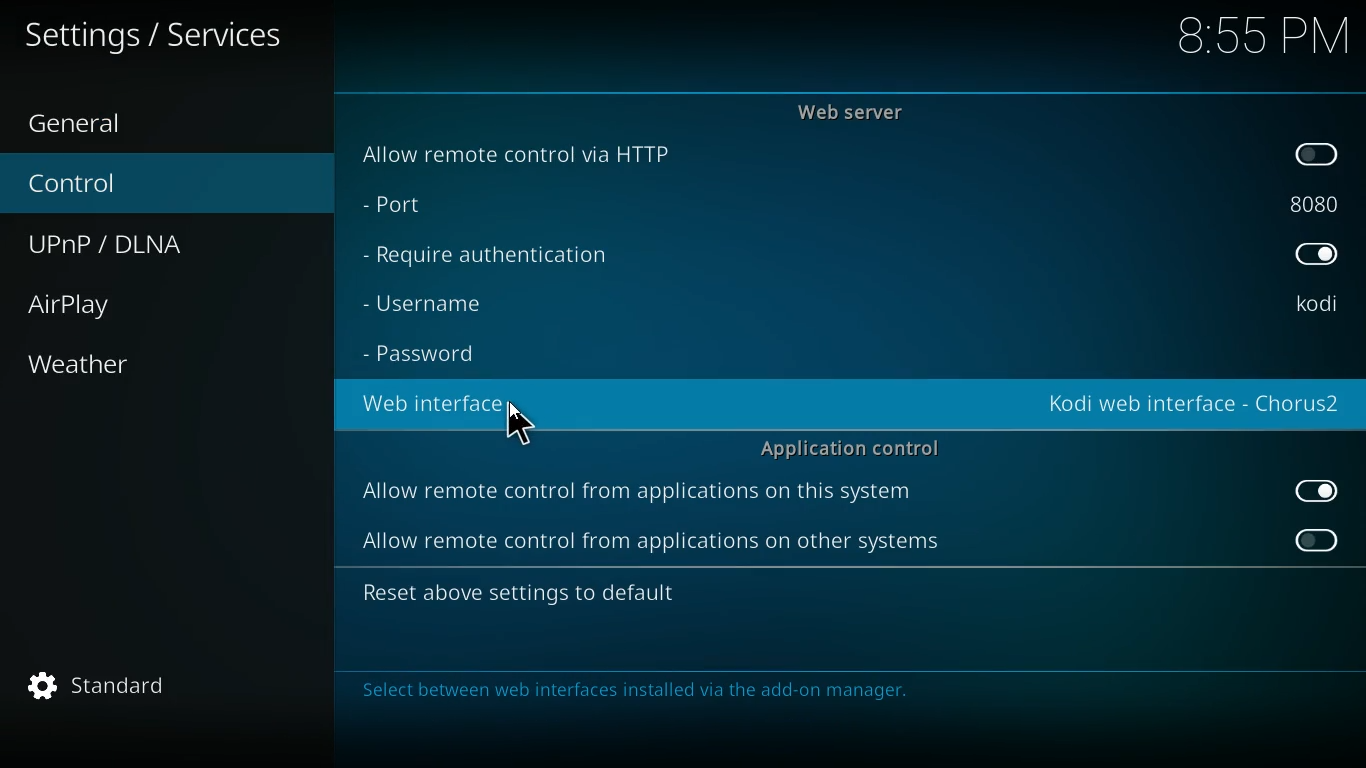 The height and width of the screenshot is (768, 1366). Describe the element at coordinates (502, 256) in the screenshot. I see `require authentication` at that location.